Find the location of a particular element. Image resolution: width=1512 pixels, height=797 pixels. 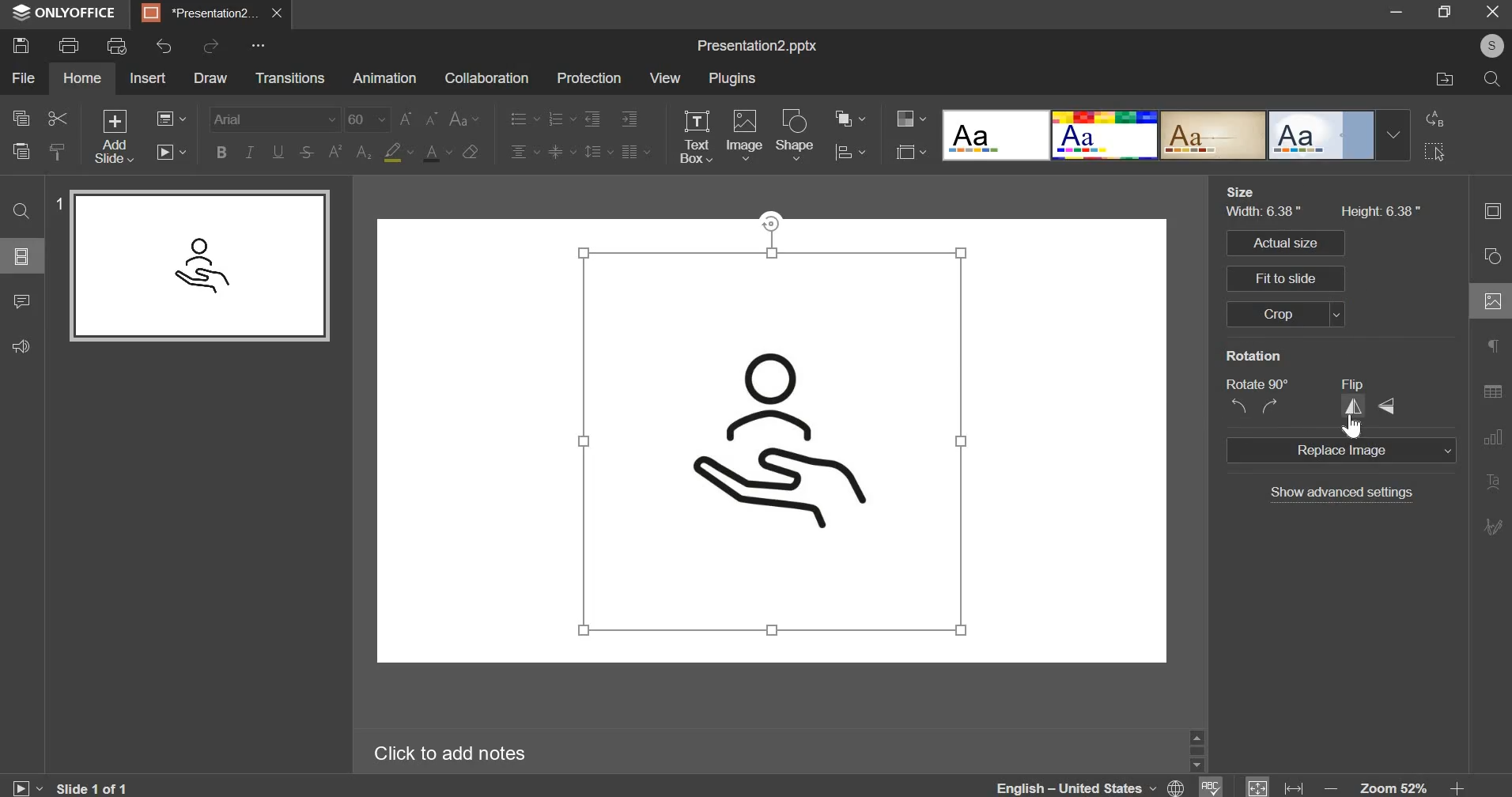

feedback is located at coordinates (20, 346).